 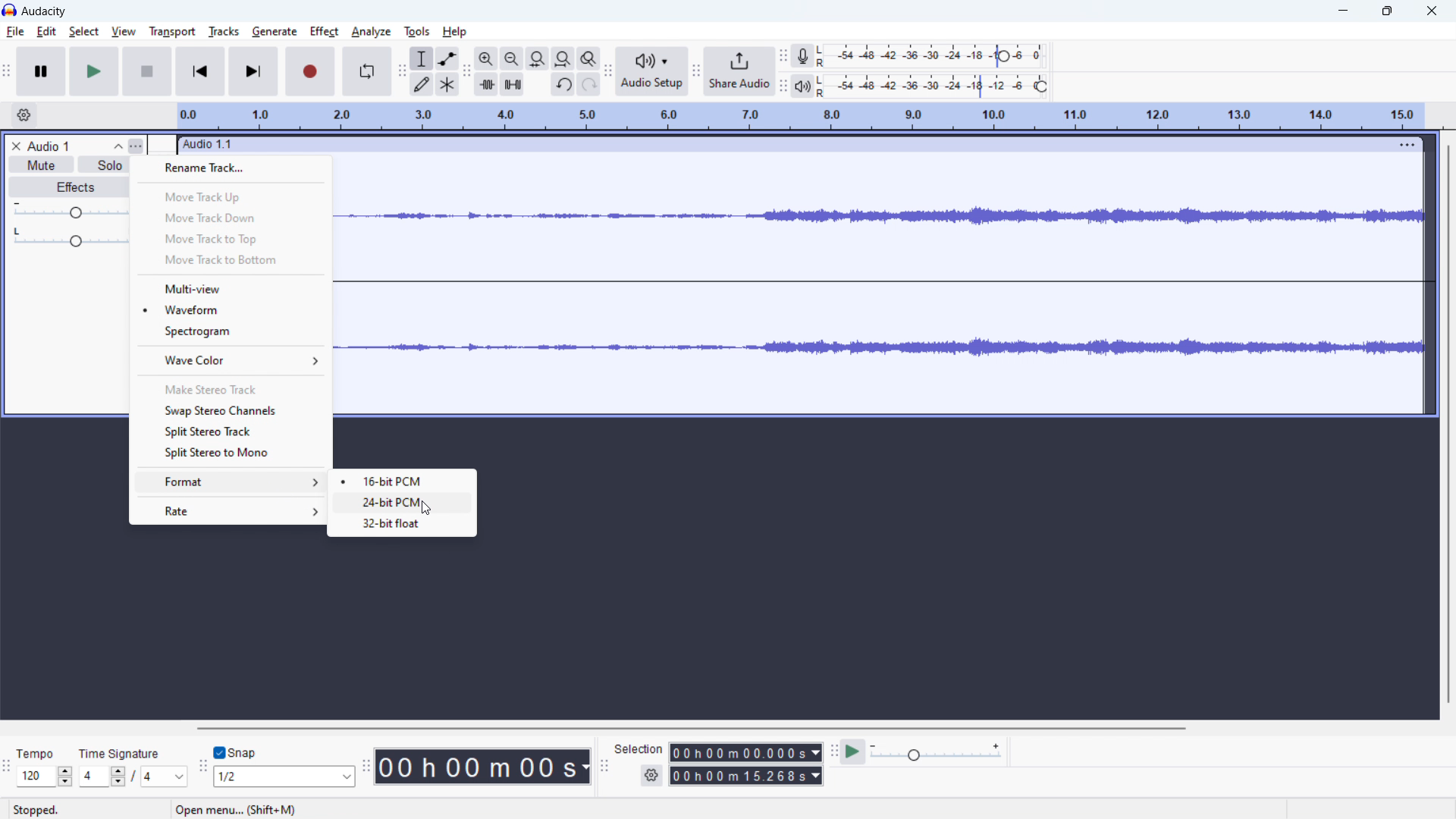 What do you see at coordinates (803, 55) in the screenshot?
I see `recording meter` at bounding box center [803, 55].